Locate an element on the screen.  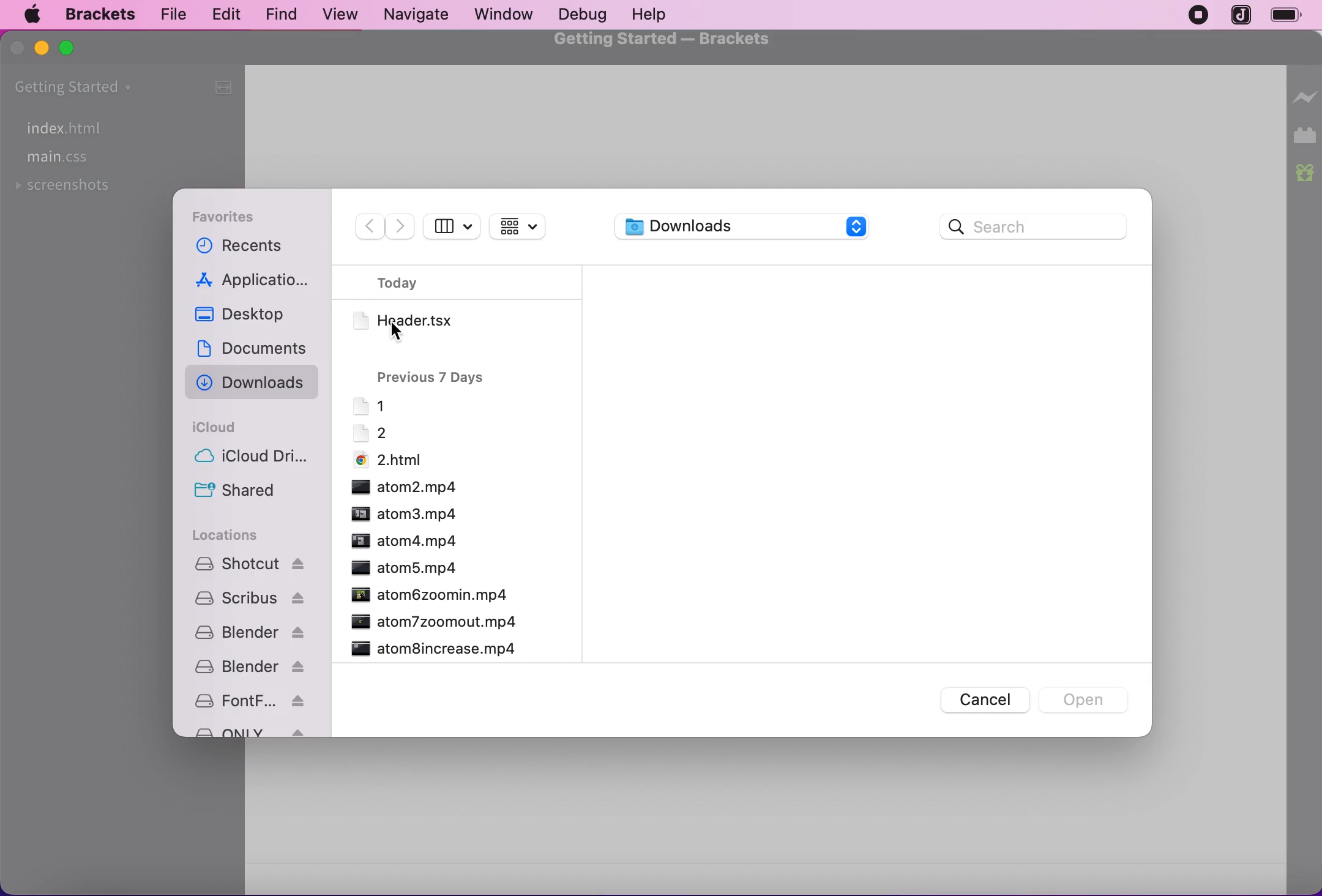
cancel is located at coordinates (977, 700).